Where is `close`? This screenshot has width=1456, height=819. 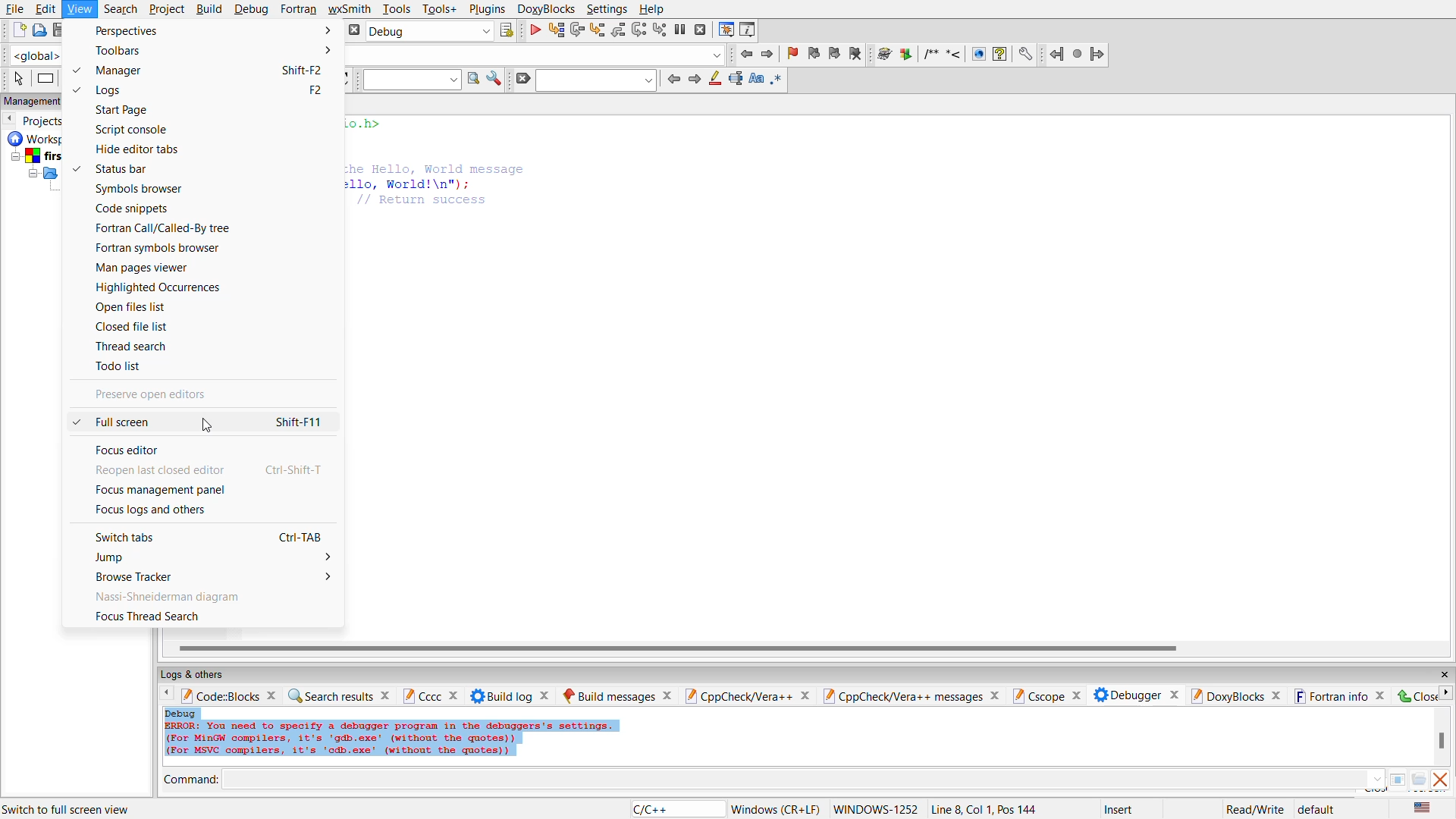
close is located at coordinates (1442, 675).